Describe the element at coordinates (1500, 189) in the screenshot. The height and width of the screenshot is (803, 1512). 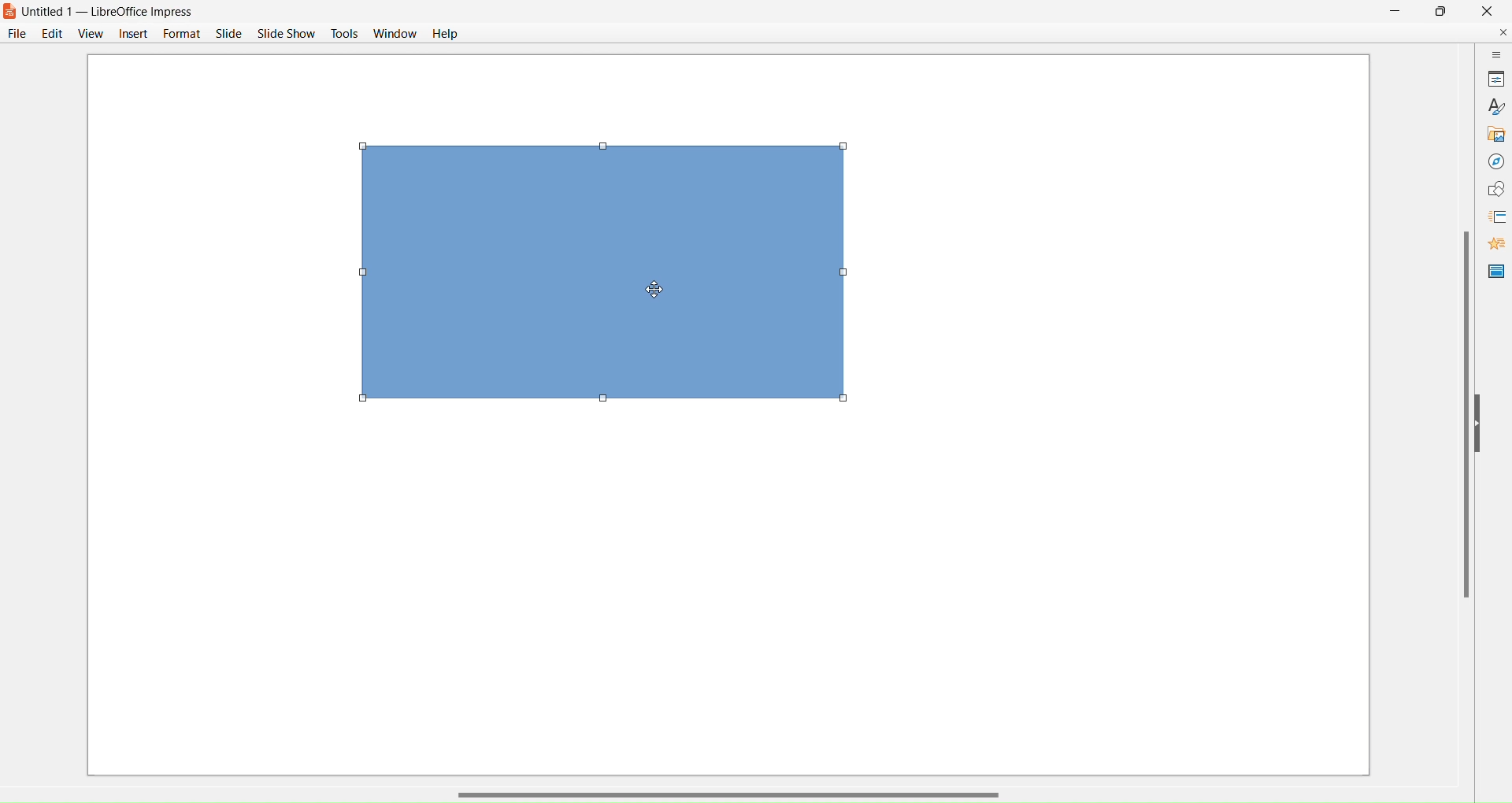
I see `Shapes` at that location.